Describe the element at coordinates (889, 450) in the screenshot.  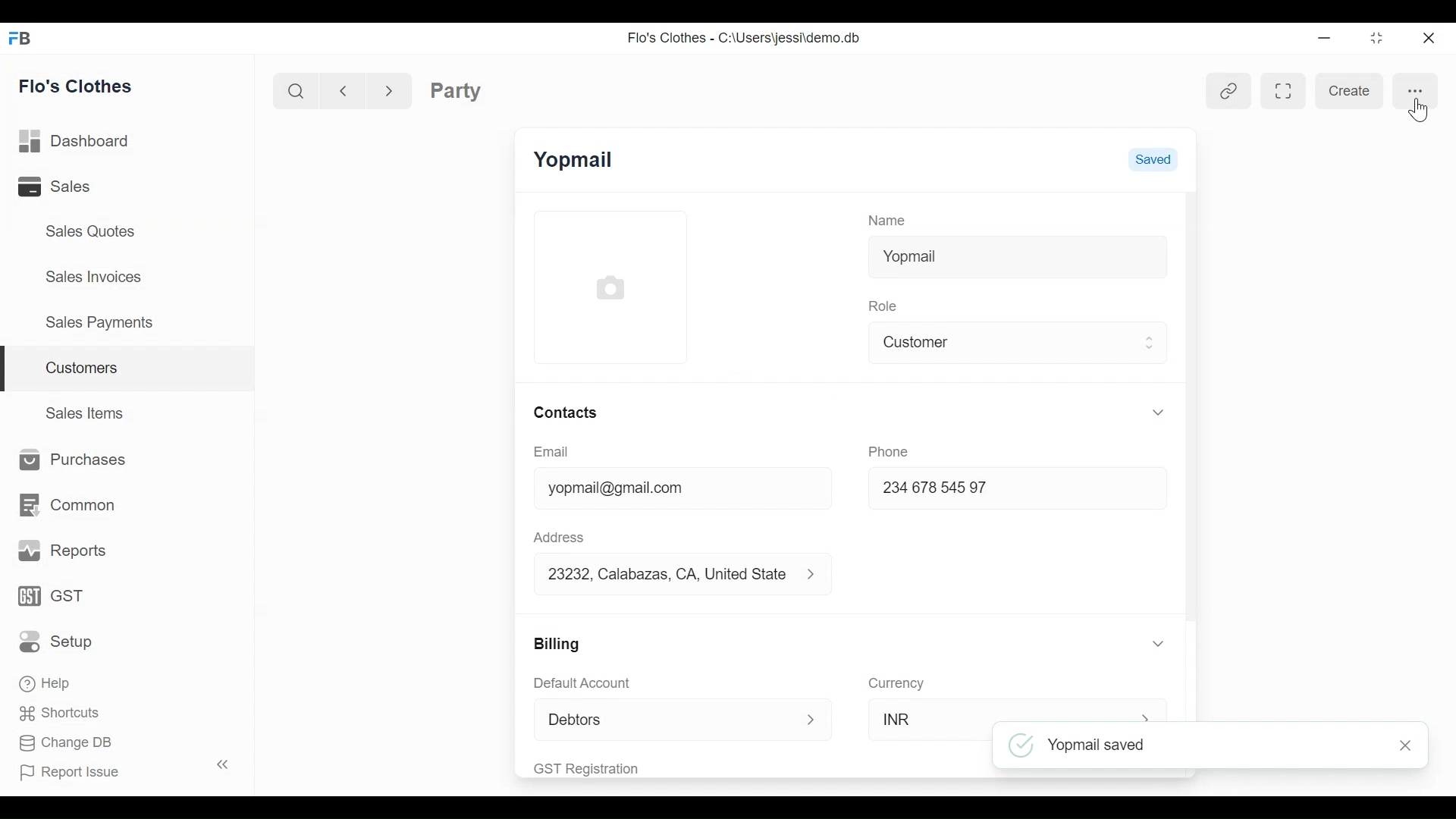
I see `Phone` at that location.